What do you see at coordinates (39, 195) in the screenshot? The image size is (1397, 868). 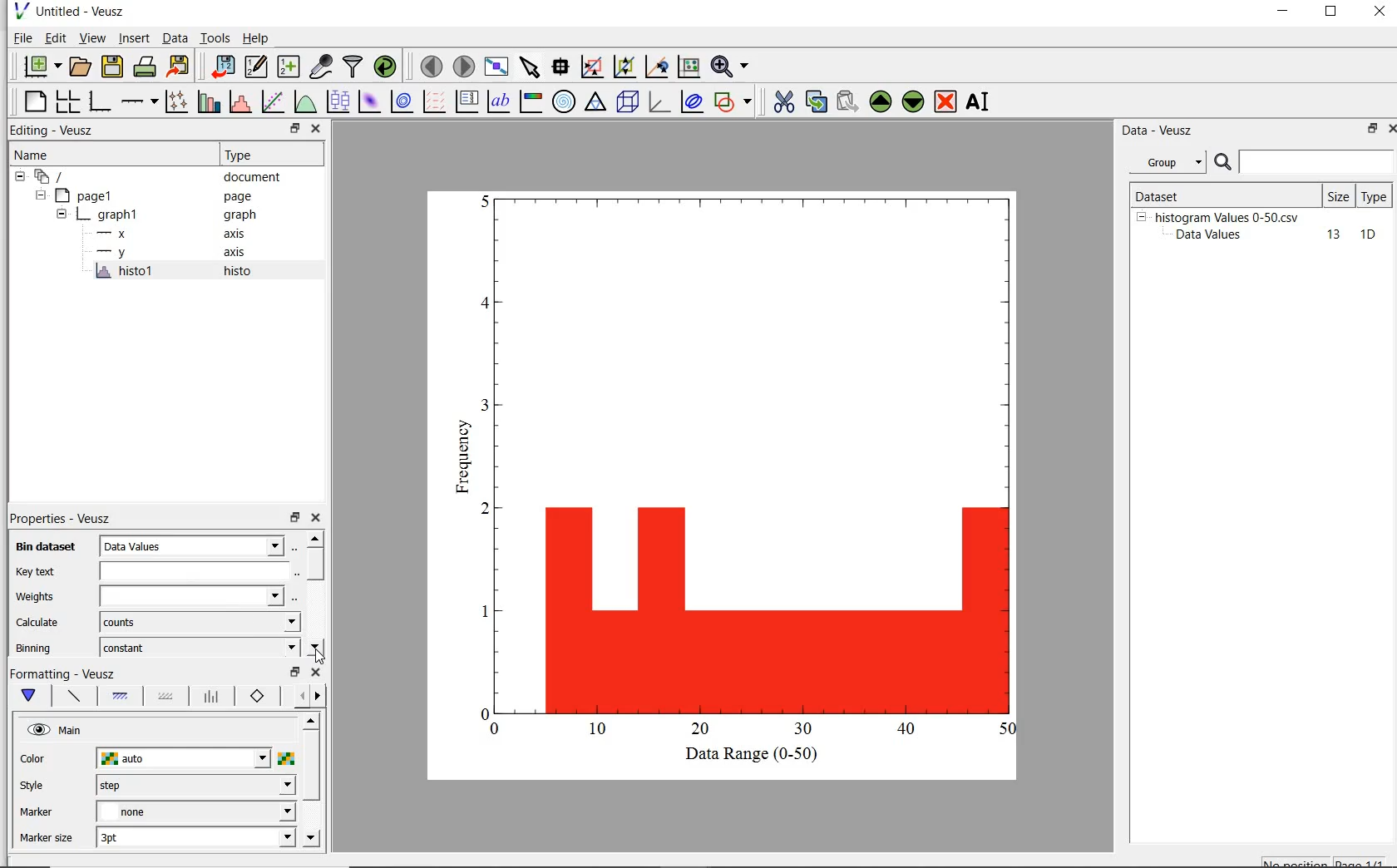 I see `hide` at bounding box center [39, 195].